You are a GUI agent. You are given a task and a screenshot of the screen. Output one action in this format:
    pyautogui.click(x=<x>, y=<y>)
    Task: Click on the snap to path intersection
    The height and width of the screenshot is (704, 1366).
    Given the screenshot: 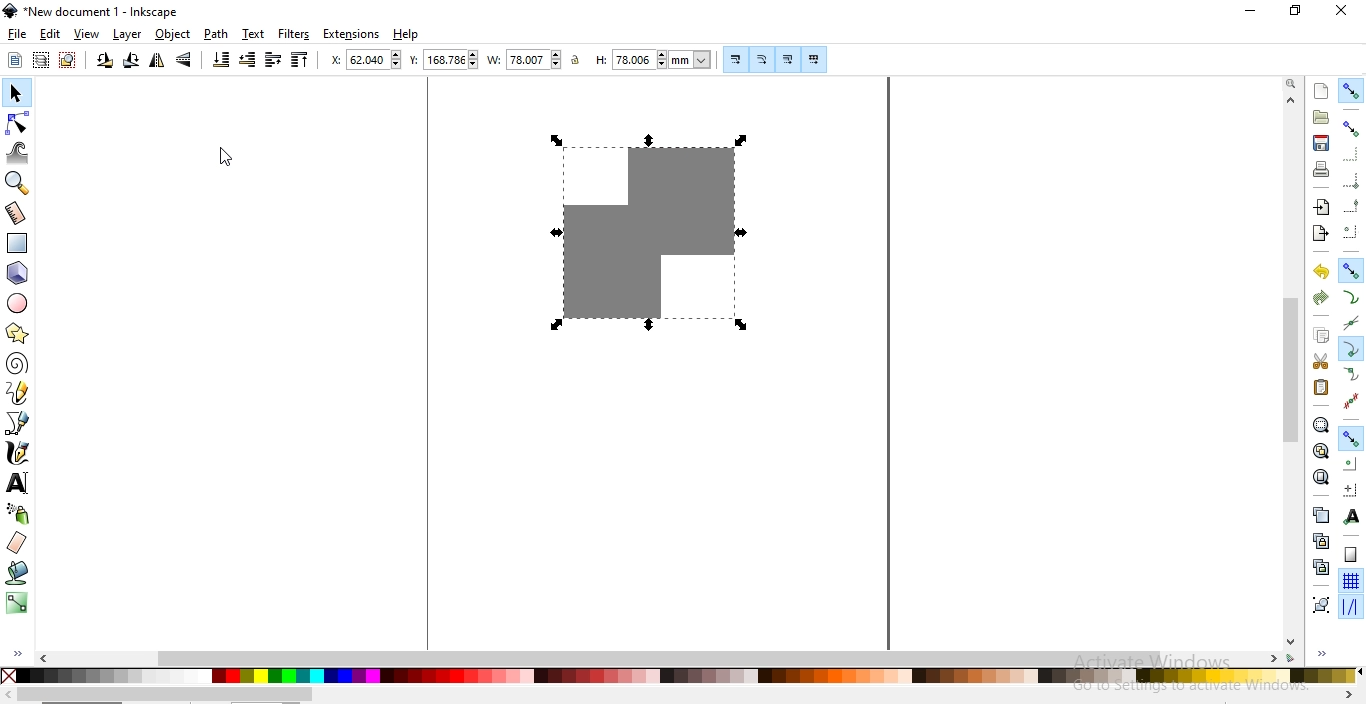 What is the action you would take?
    pyautogui.click(x=1349, y=324)
    